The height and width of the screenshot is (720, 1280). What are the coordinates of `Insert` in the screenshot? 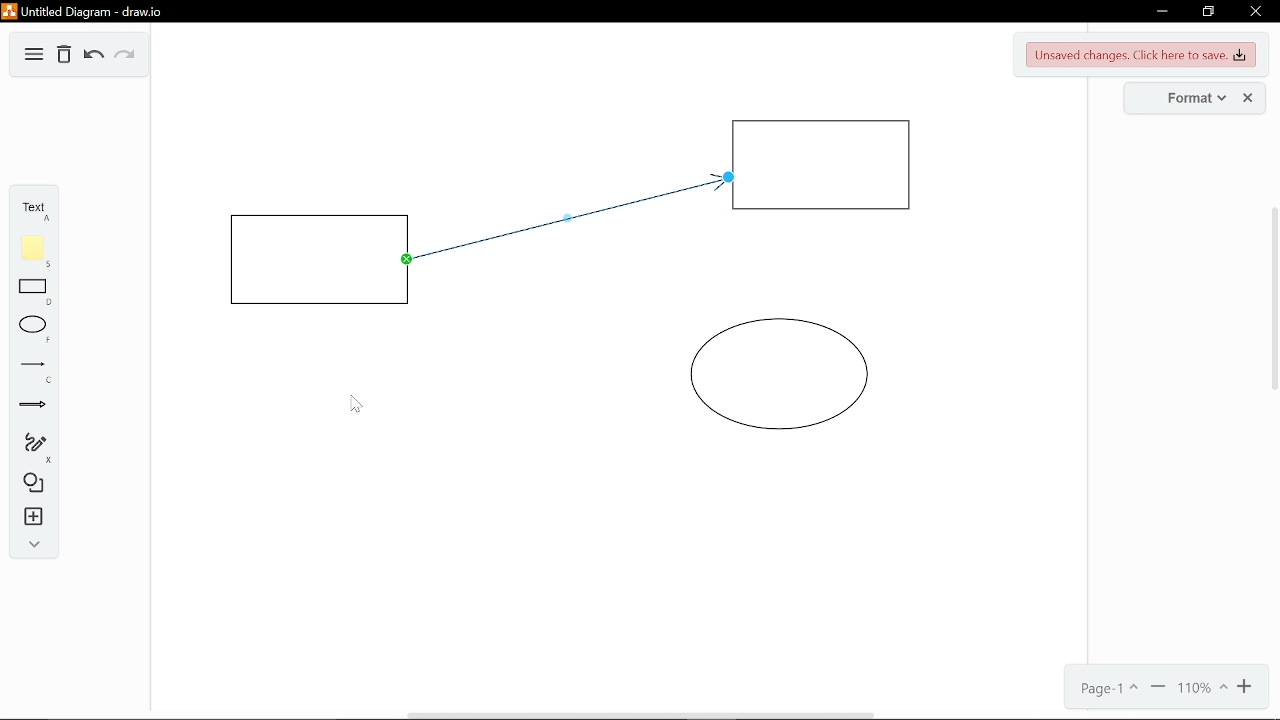 It's located at (31, 518).